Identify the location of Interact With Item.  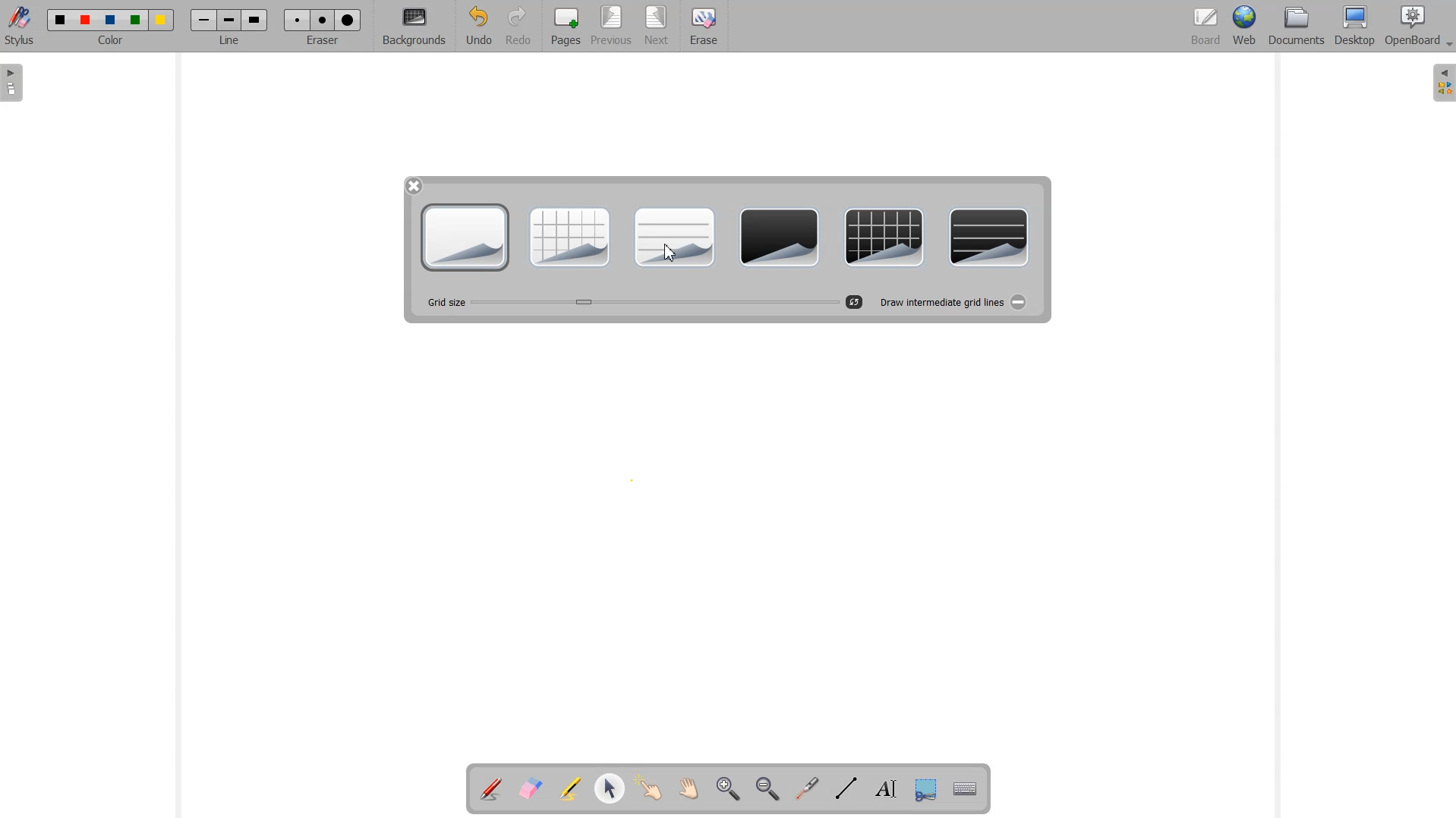
(649, 790).